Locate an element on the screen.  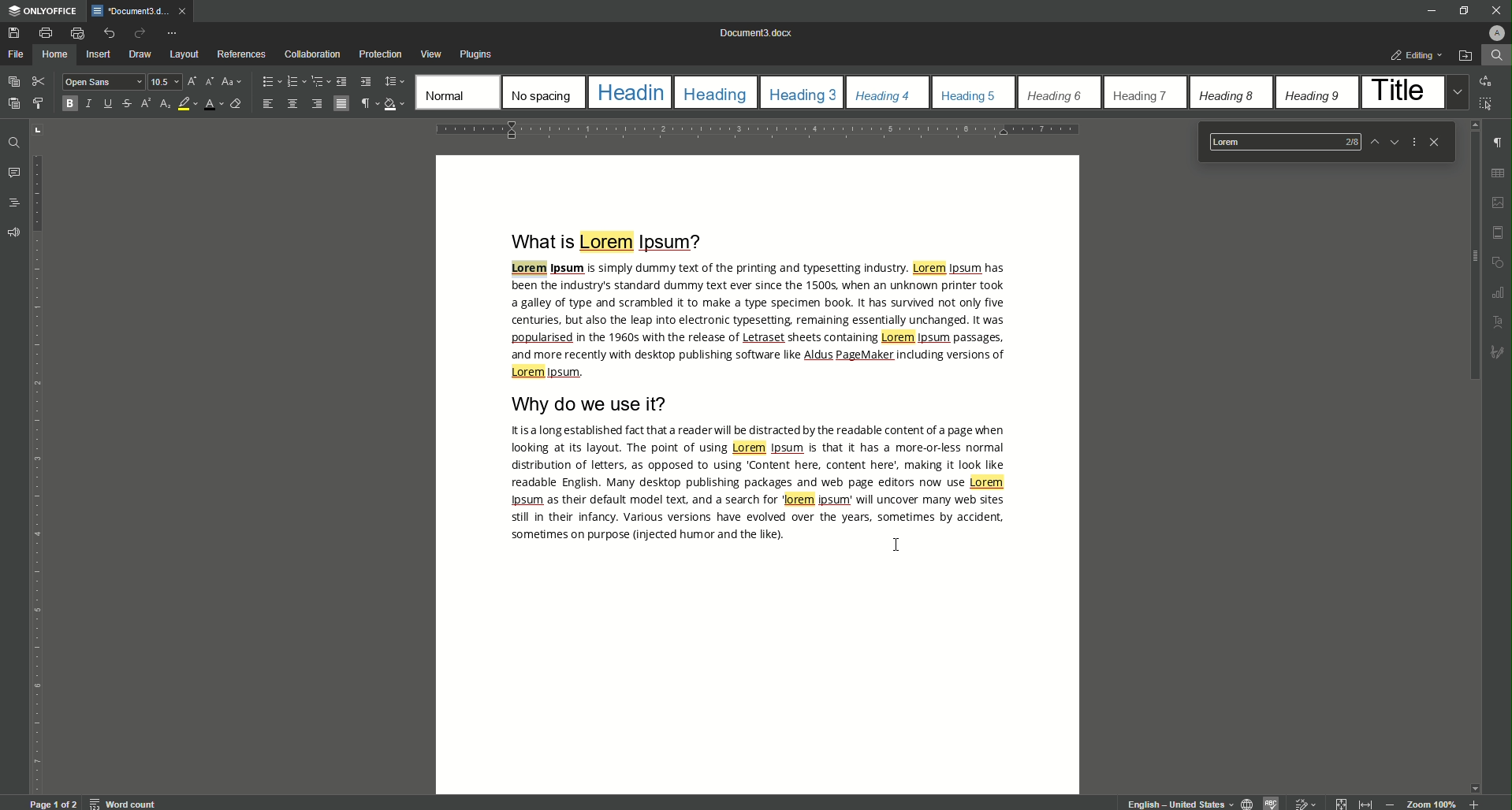
Print is located at coordinates (47, 33).